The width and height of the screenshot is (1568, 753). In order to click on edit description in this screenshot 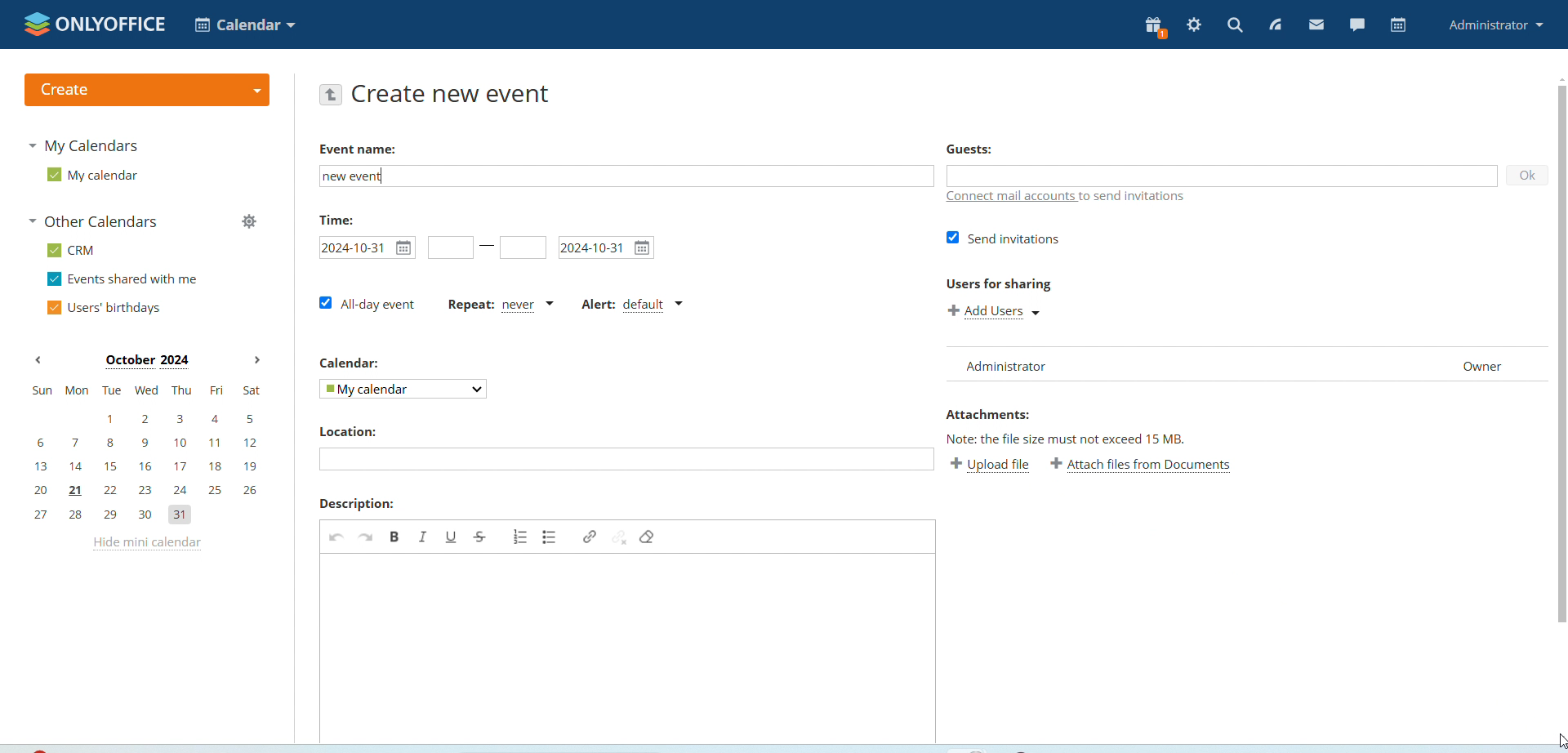, I will do `click(626, 648)`.